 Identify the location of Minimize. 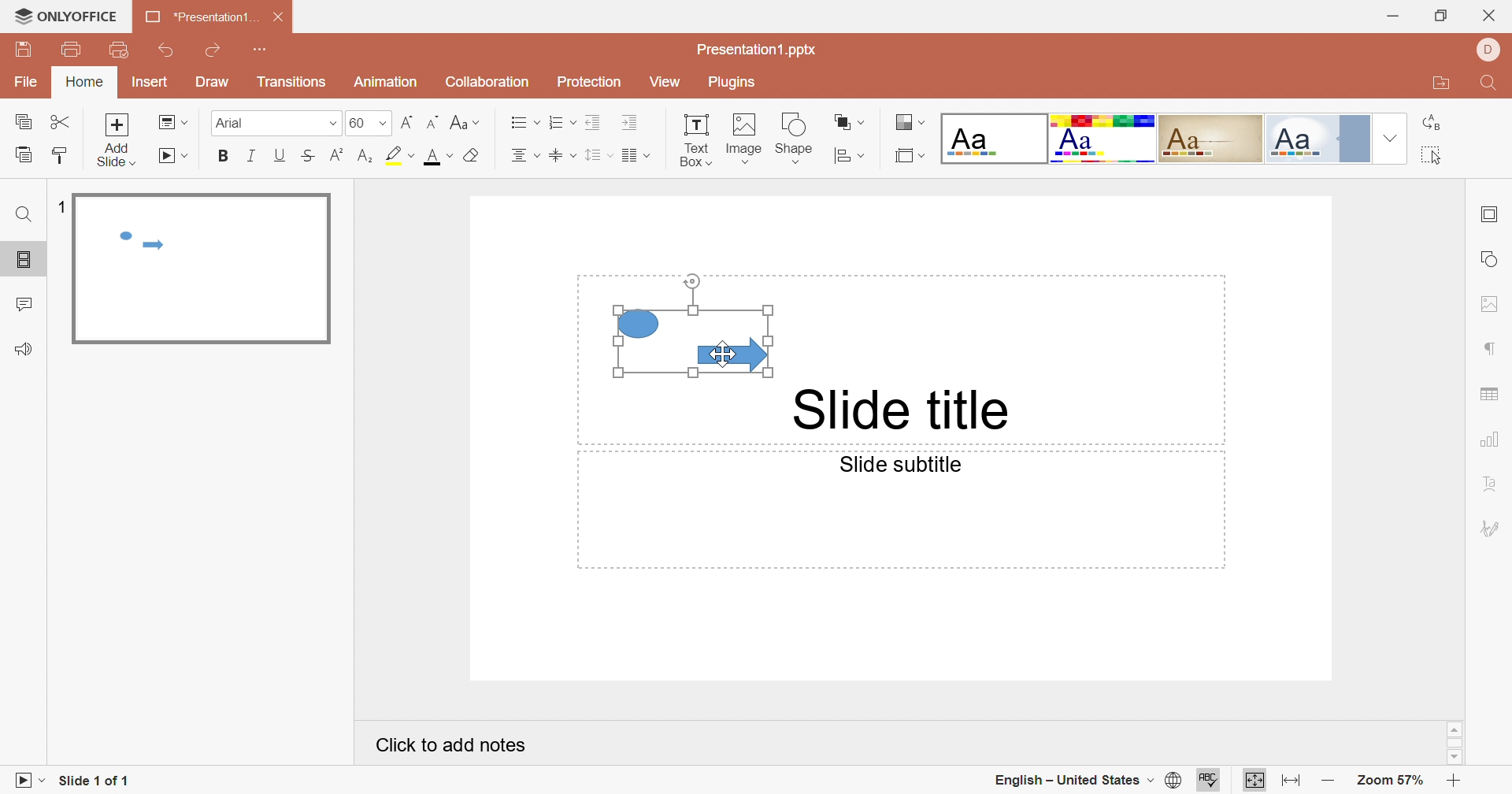
(1390, 15).